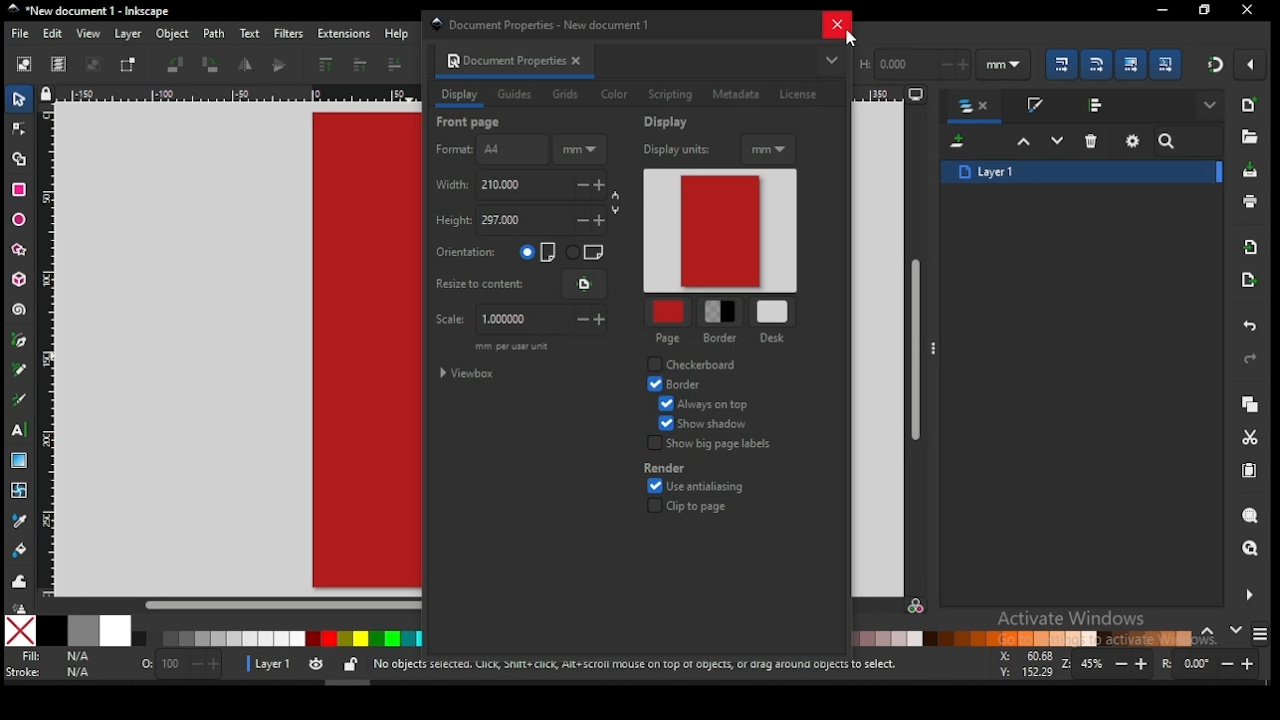 This screenshot has height=720, width=1280. Describe the element at coordinates (20, 310) in the screenshot. I see `spiral tool` at that location.